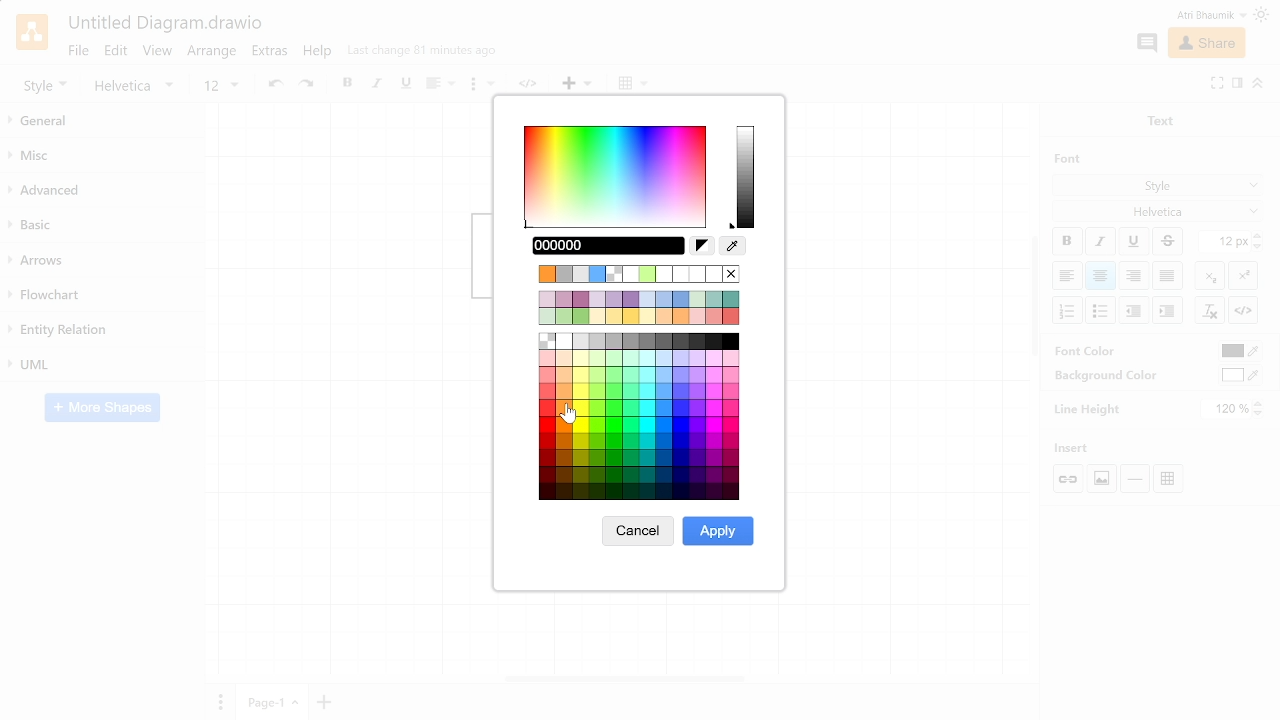  I want to click on Italic, so click(1100, 242).